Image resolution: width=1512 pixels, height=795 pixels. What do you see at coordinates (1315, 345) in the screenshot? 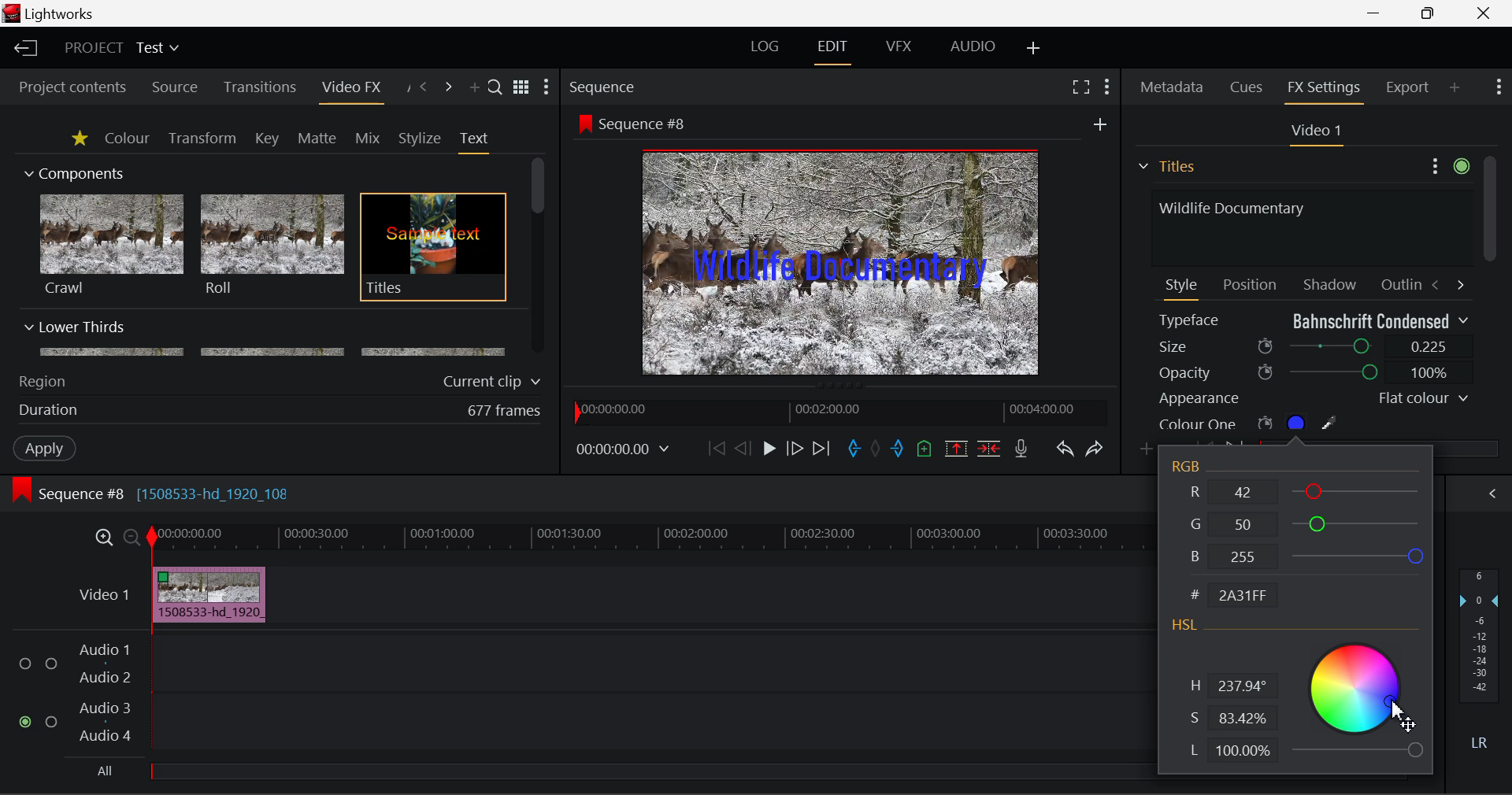
I see `Size` at bounding box center [1315, 345].